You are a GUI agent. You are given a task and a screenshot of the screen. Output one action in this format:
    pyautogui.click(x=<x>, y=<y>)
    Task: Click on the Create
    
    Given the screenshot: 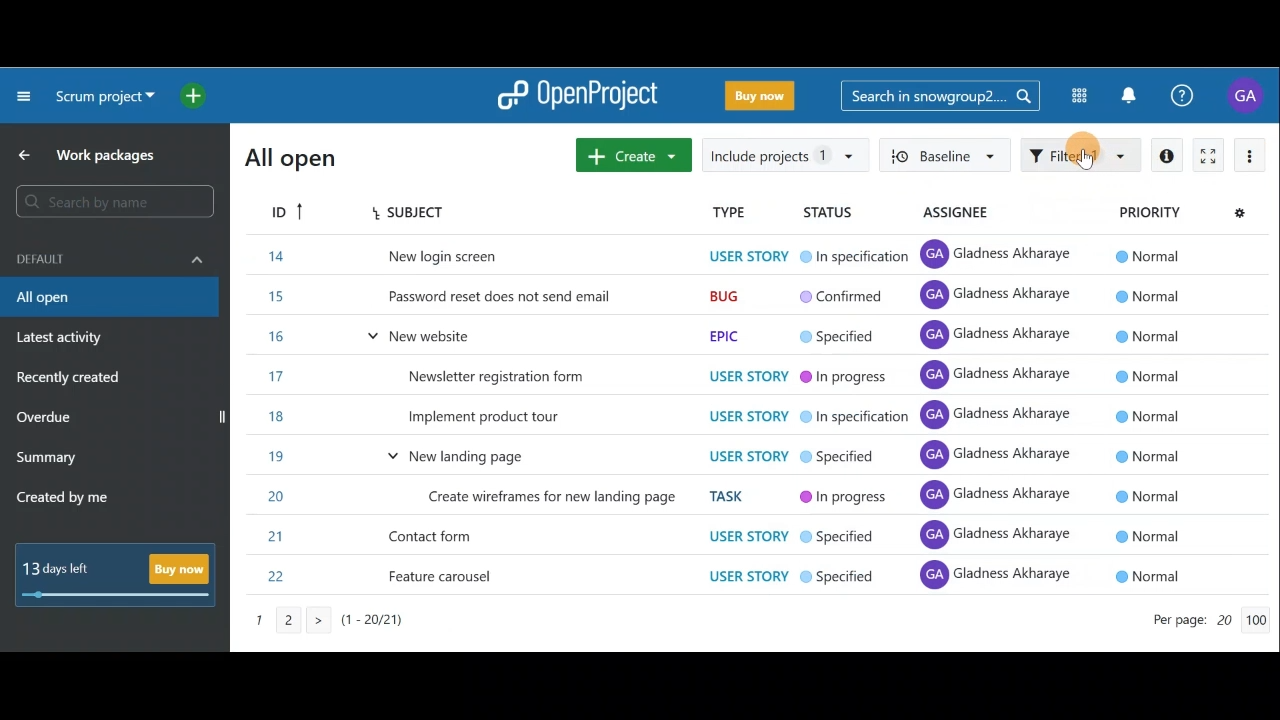 What is the action you would take?
    pyautogui.click(x=630, y=155)
    